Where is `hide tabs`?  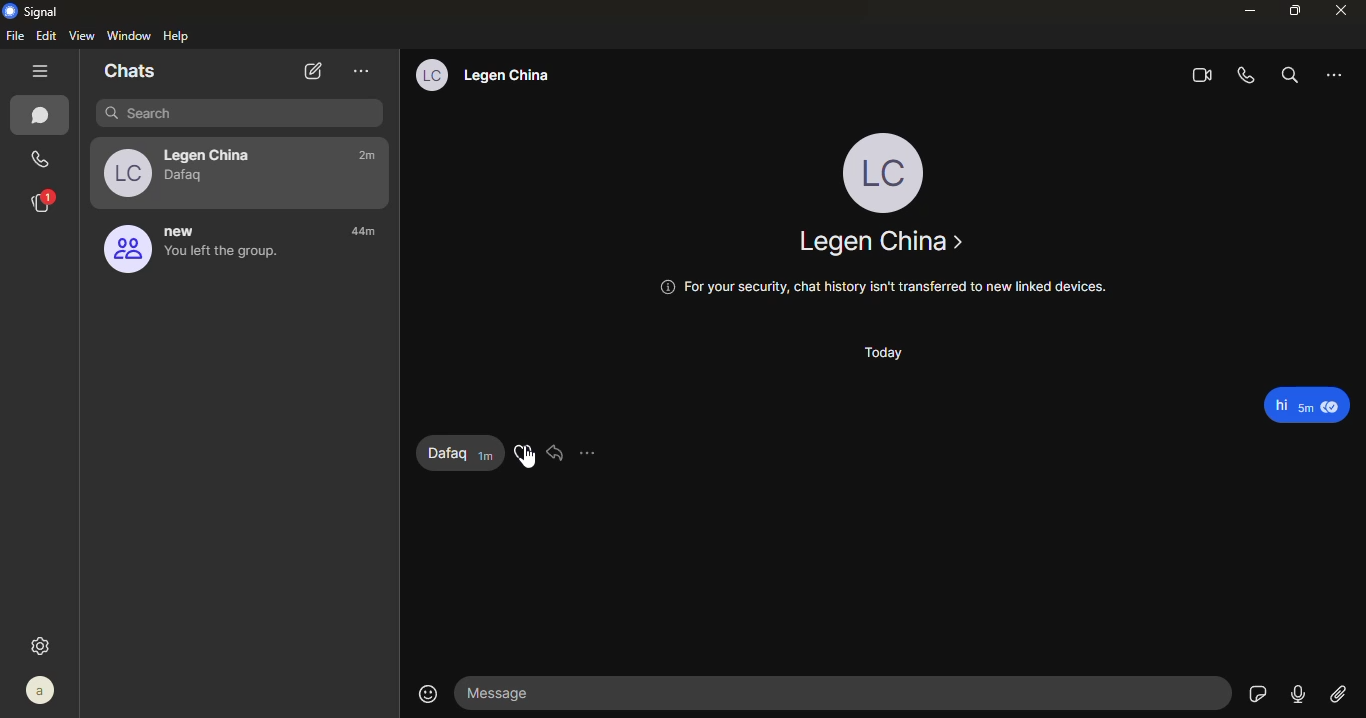
hide tabs is located at coordinates (42, 72).